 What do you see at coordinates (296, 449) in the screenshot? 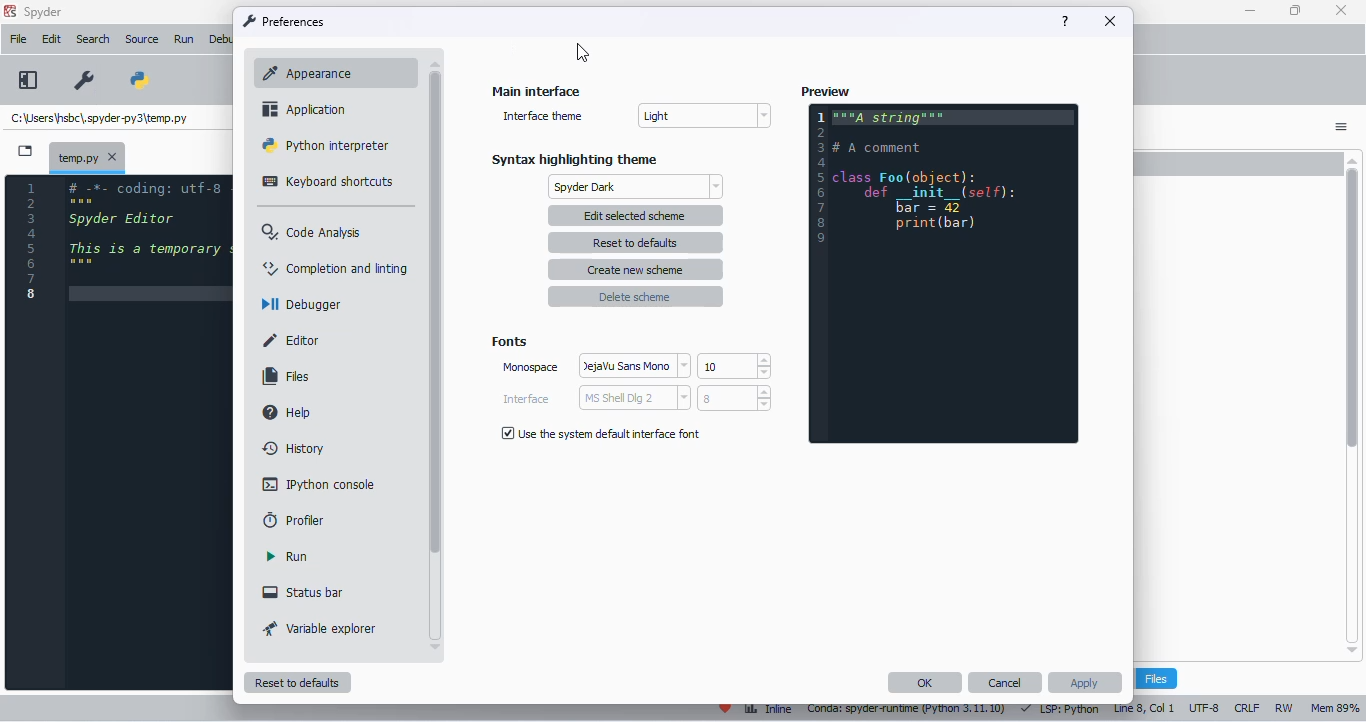
I see `history` at bounding box center [296, 449].